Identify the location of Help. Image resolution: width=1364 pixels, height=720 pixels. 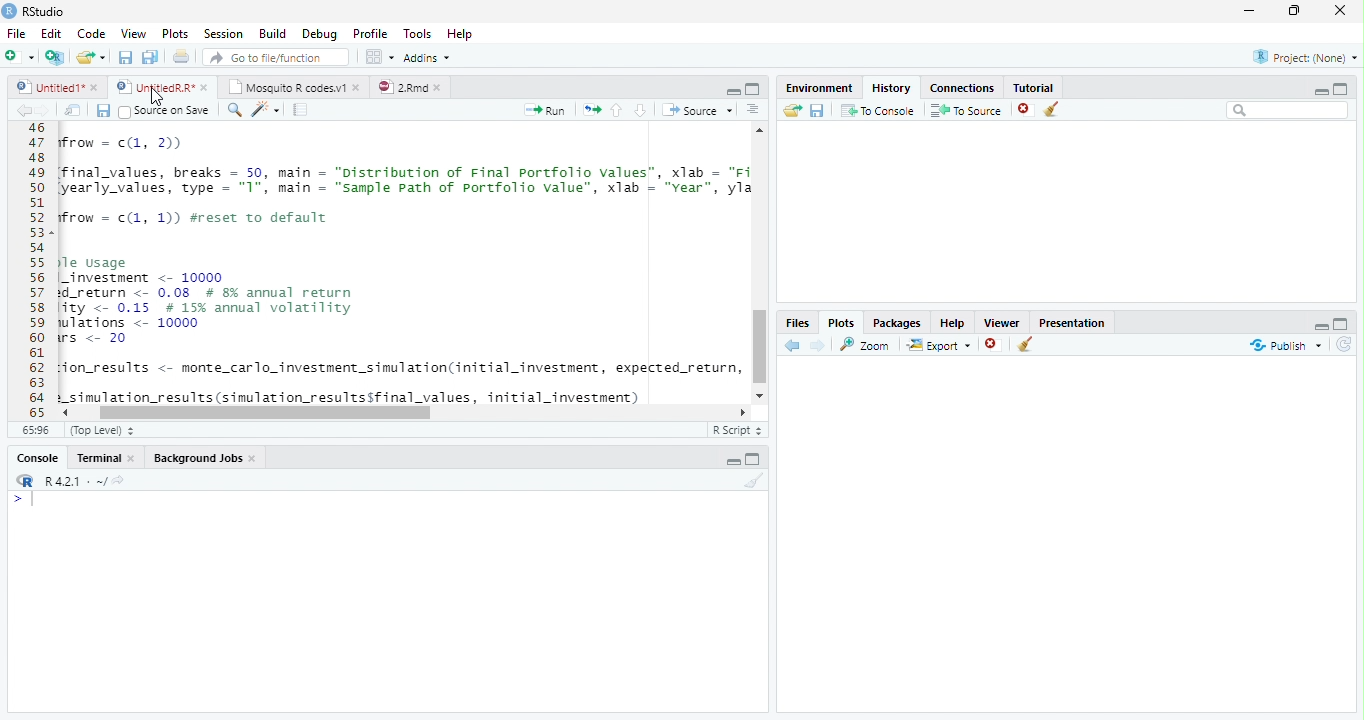
(462, 35).